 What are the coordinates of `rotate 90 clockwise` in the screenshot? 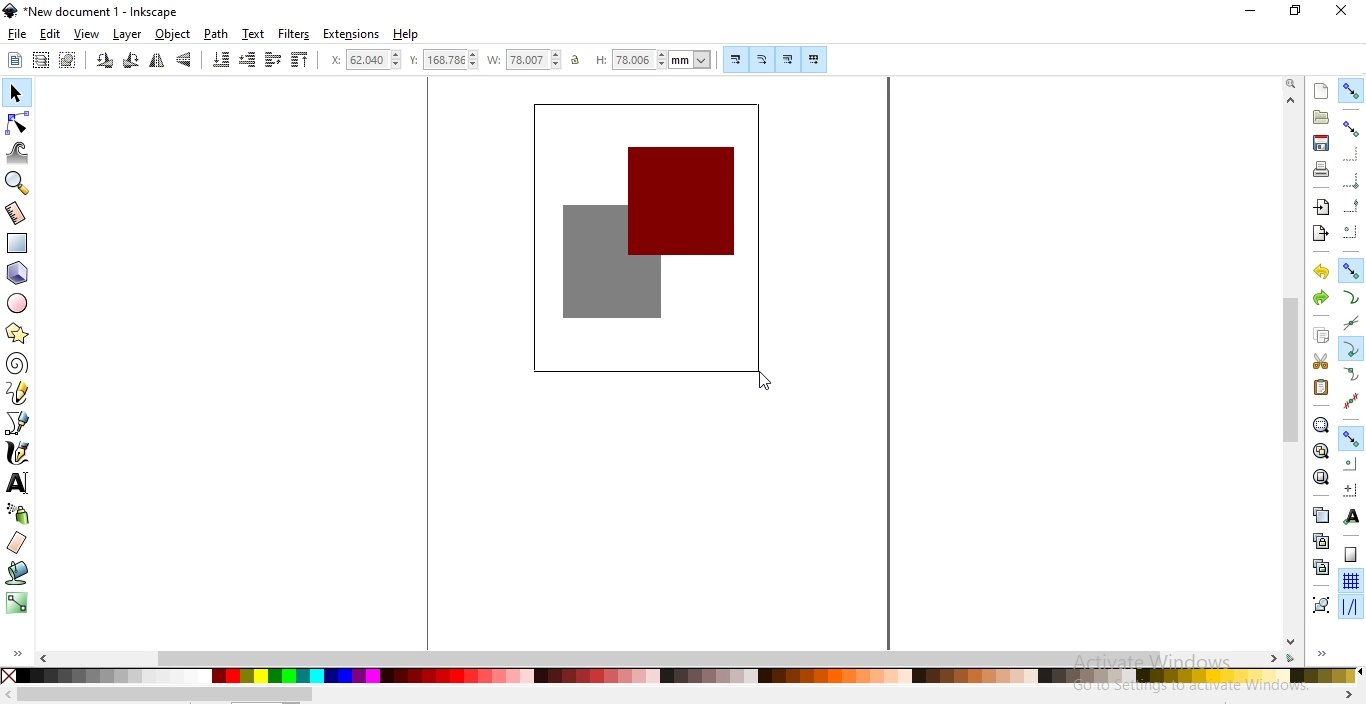 It's located at (129, 62).